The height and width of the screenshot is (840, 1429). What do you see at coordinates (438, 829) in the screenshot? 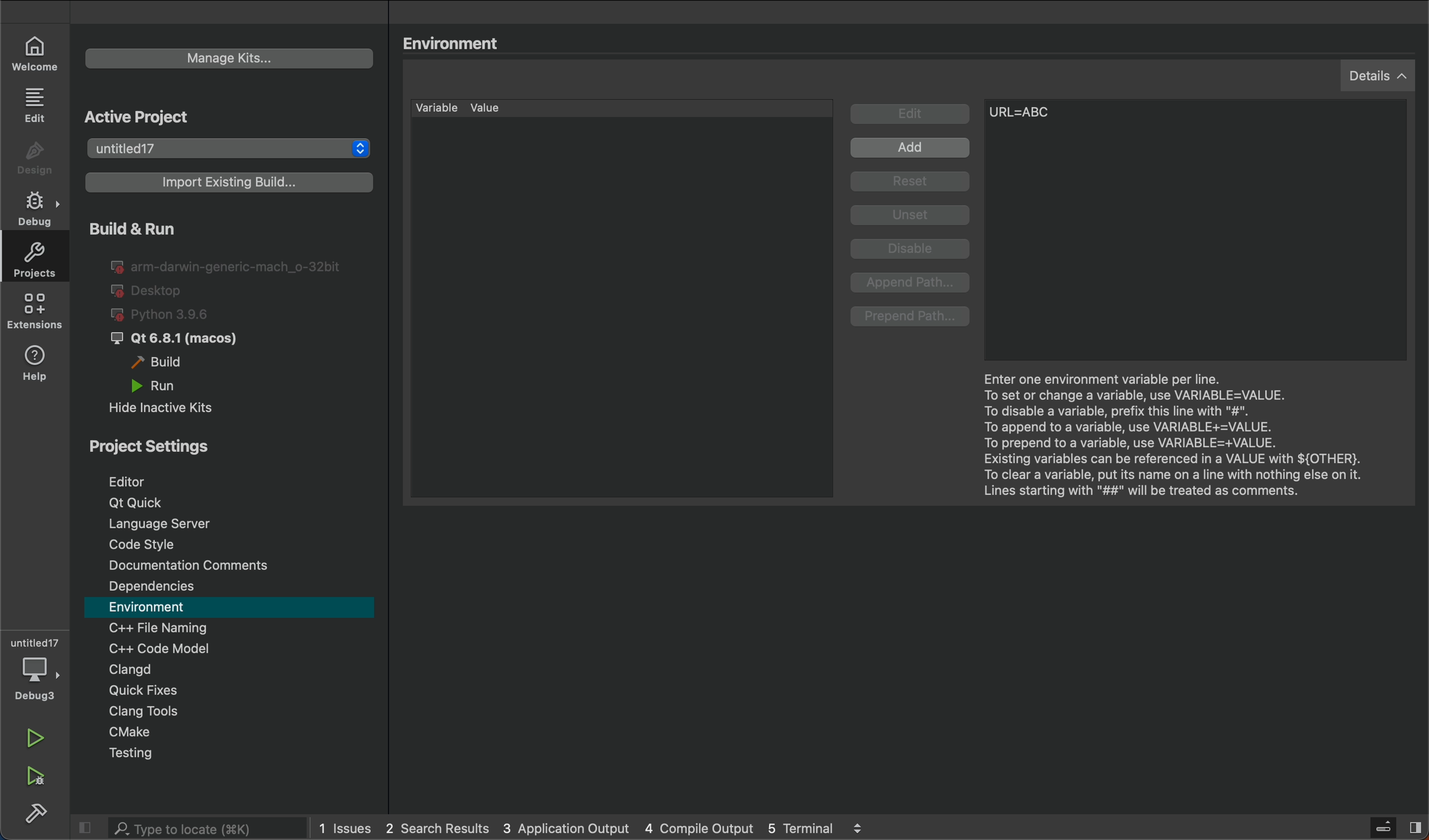
I see `2 search results` at bounding box center [438, 829].